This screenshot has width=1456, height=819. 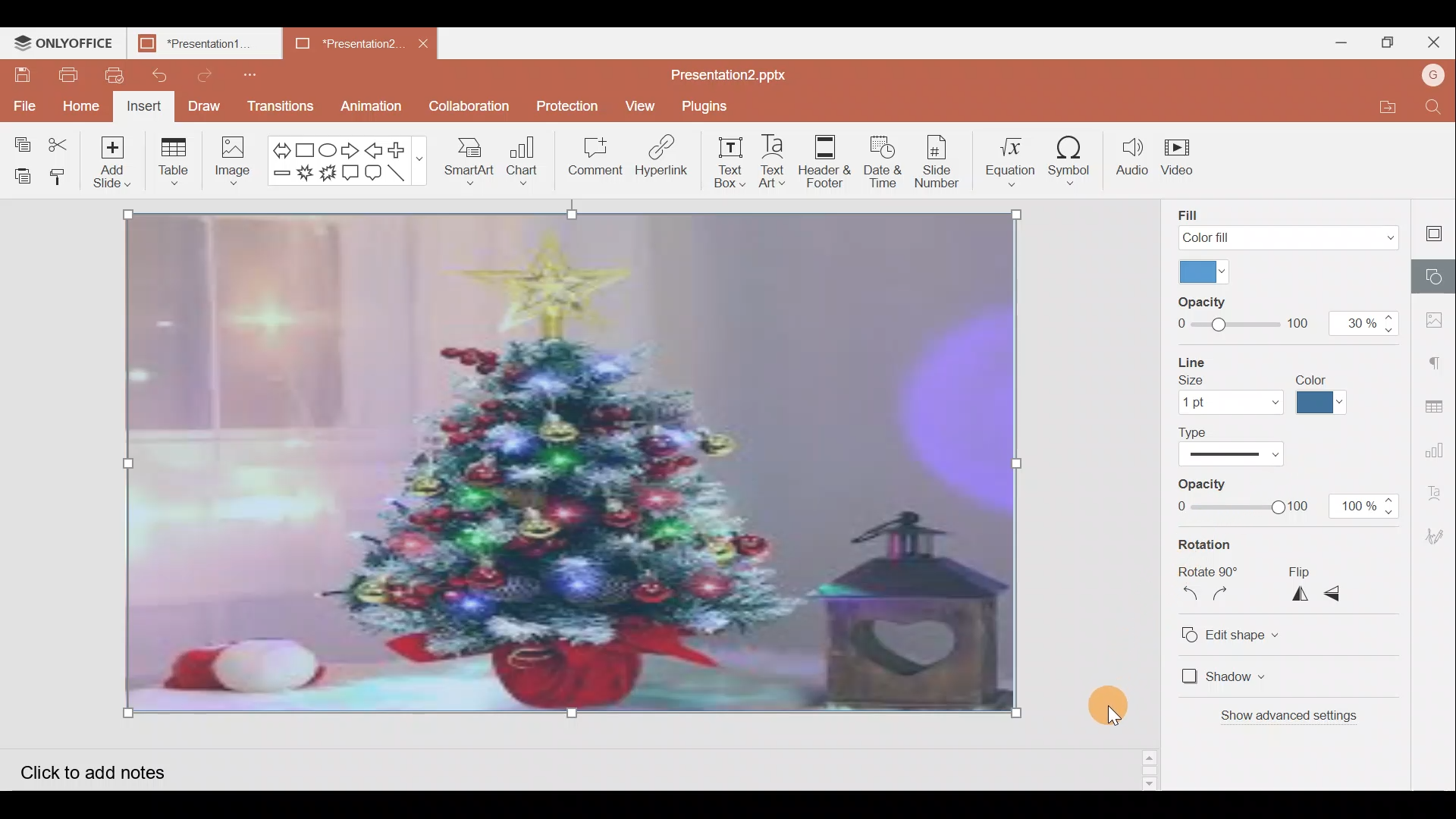 I want to click on Plus, so click(x=402, y=150).